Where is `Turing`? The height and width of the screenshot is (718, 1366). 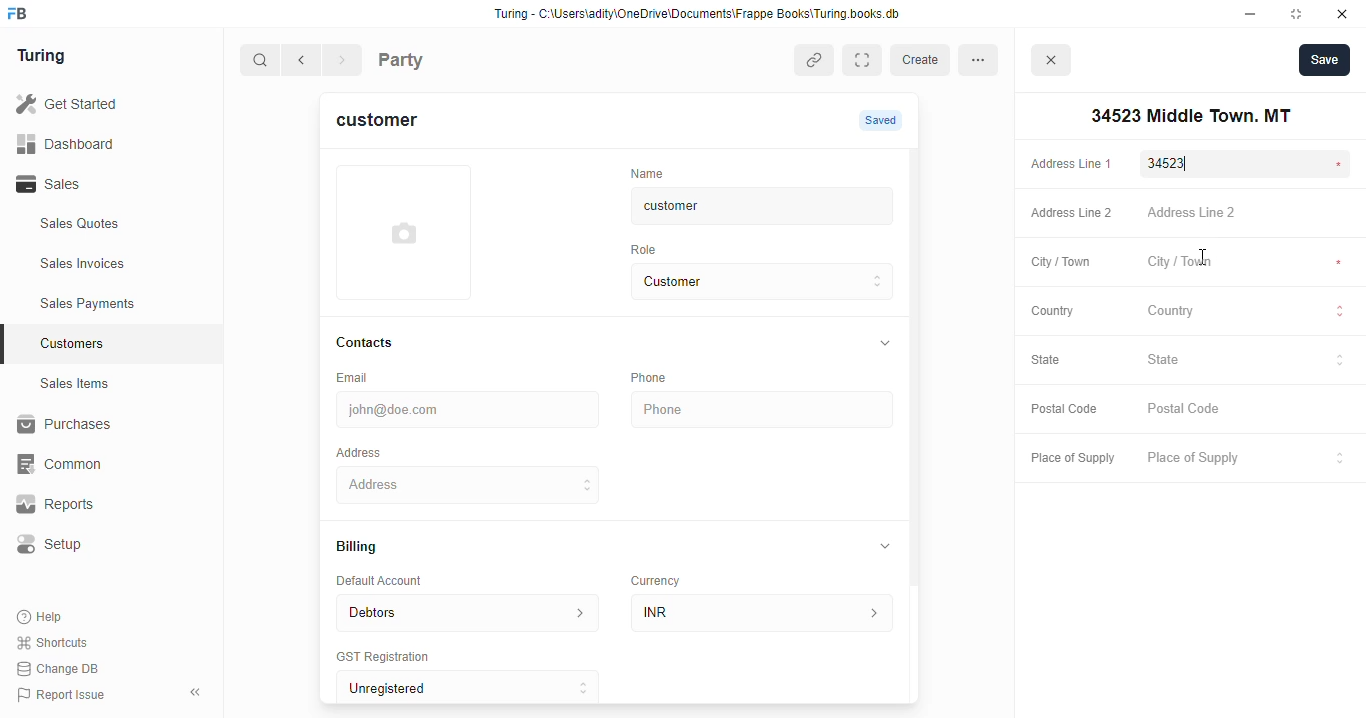 Turing is located at coordinates (46, 57).